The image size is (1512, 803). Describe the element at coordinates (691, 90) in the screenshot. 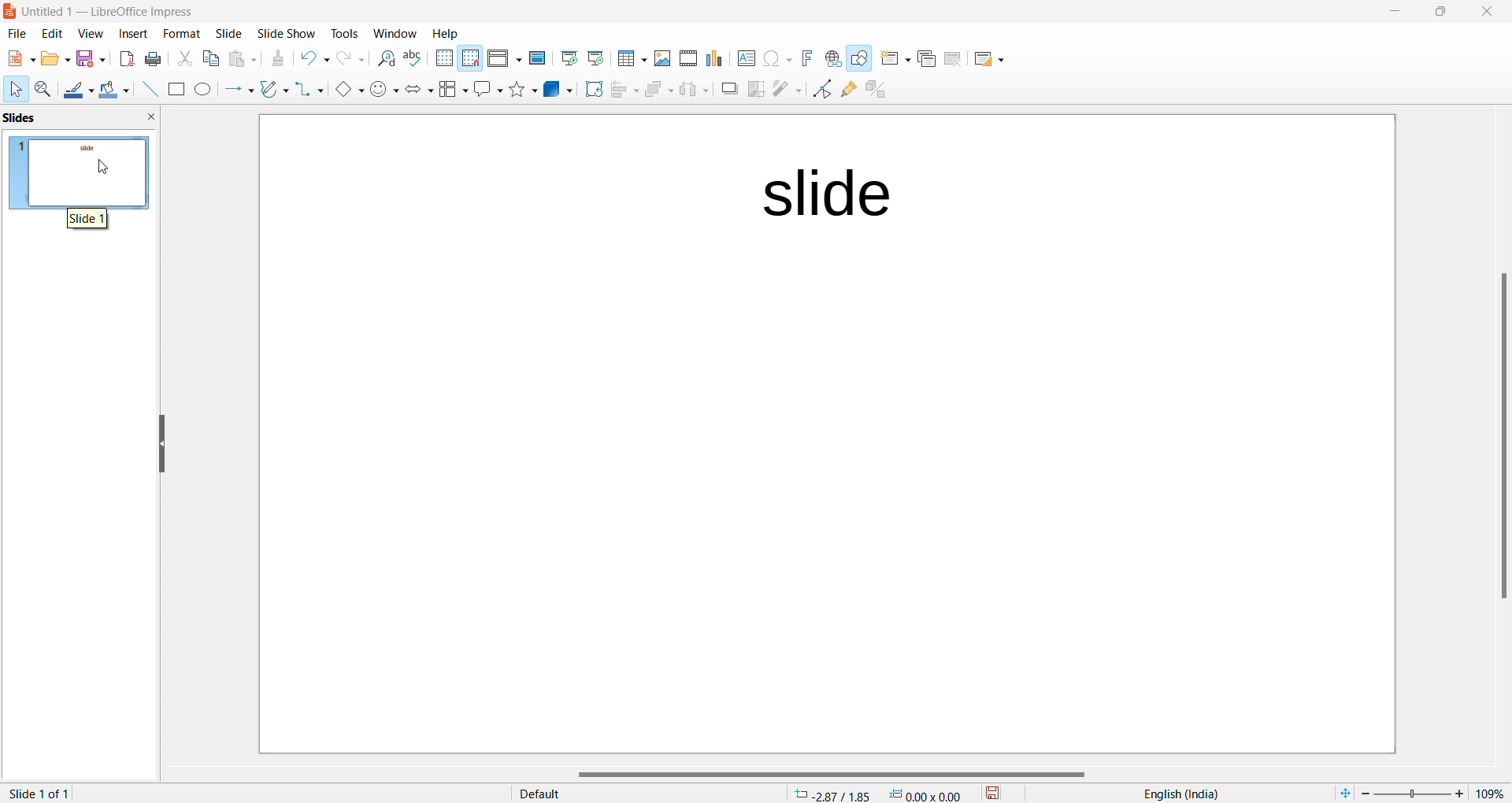

I see `Object distribution` at that location.